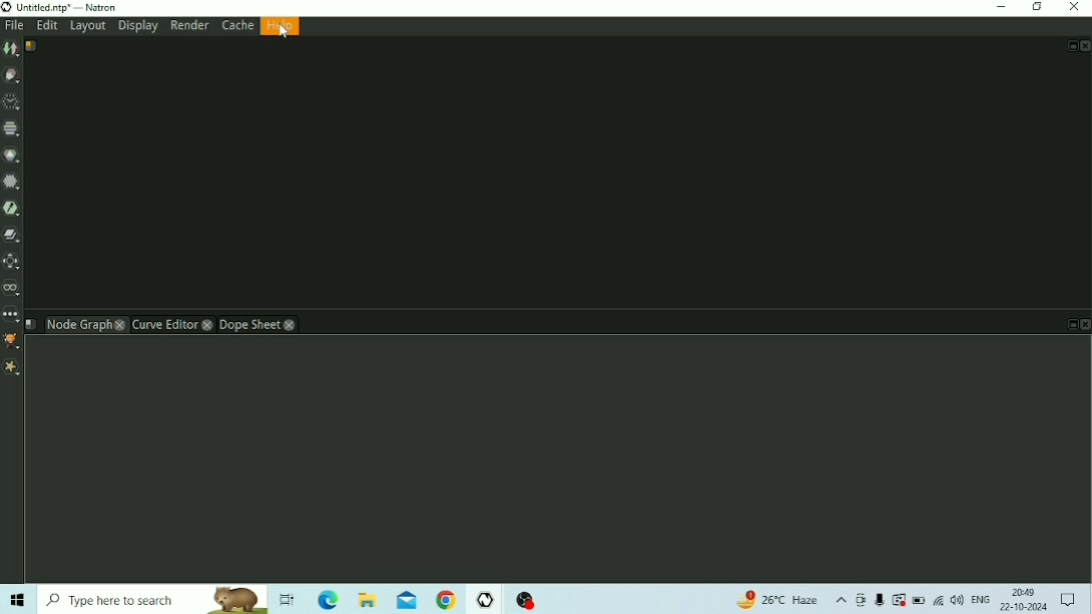  What do you see at coordinates (880, 600) in the screenshot?
I see `Mic` at bounding box center [880, 600].